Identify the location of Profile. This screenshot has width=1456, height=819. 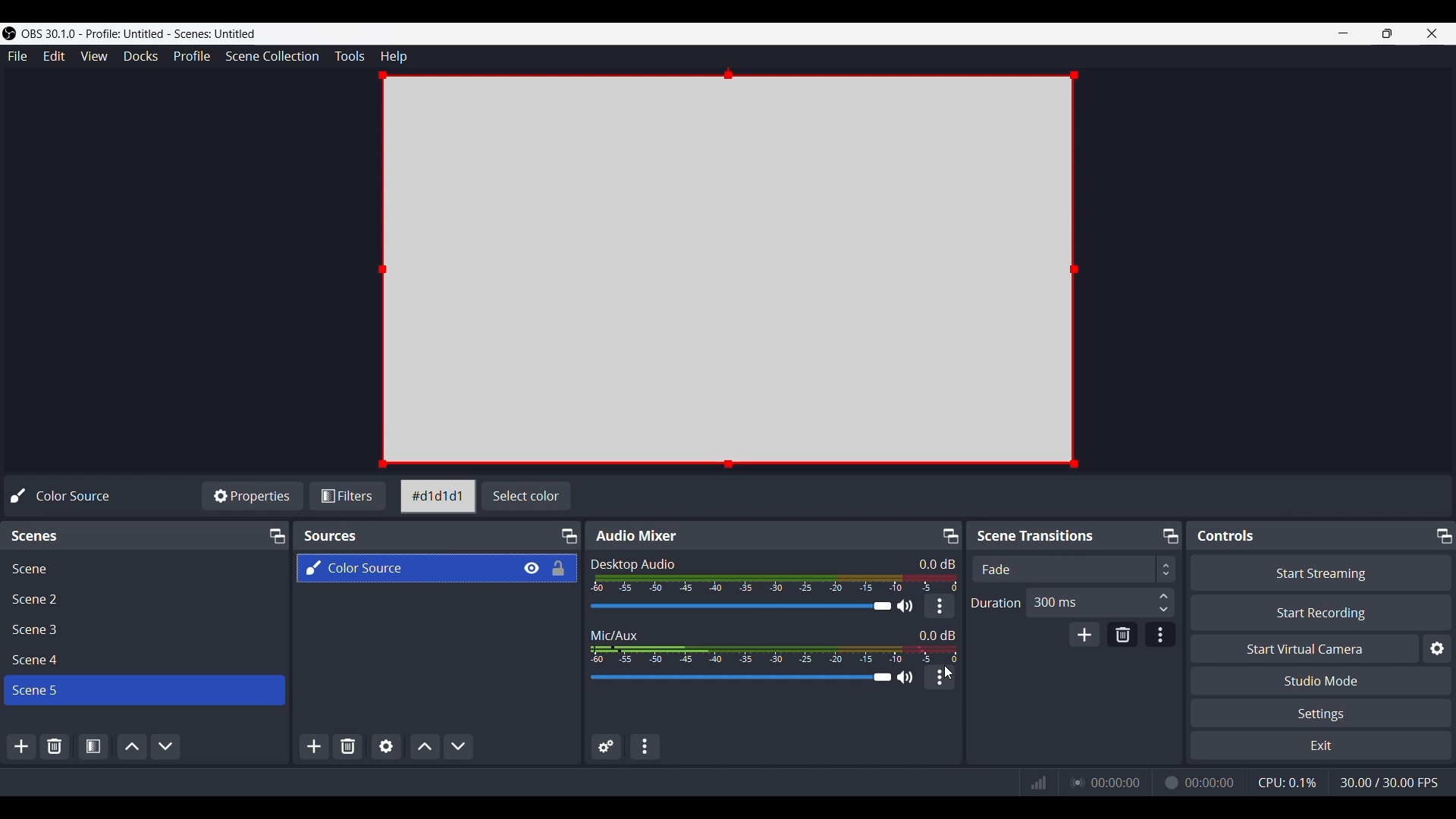
(193, 57).